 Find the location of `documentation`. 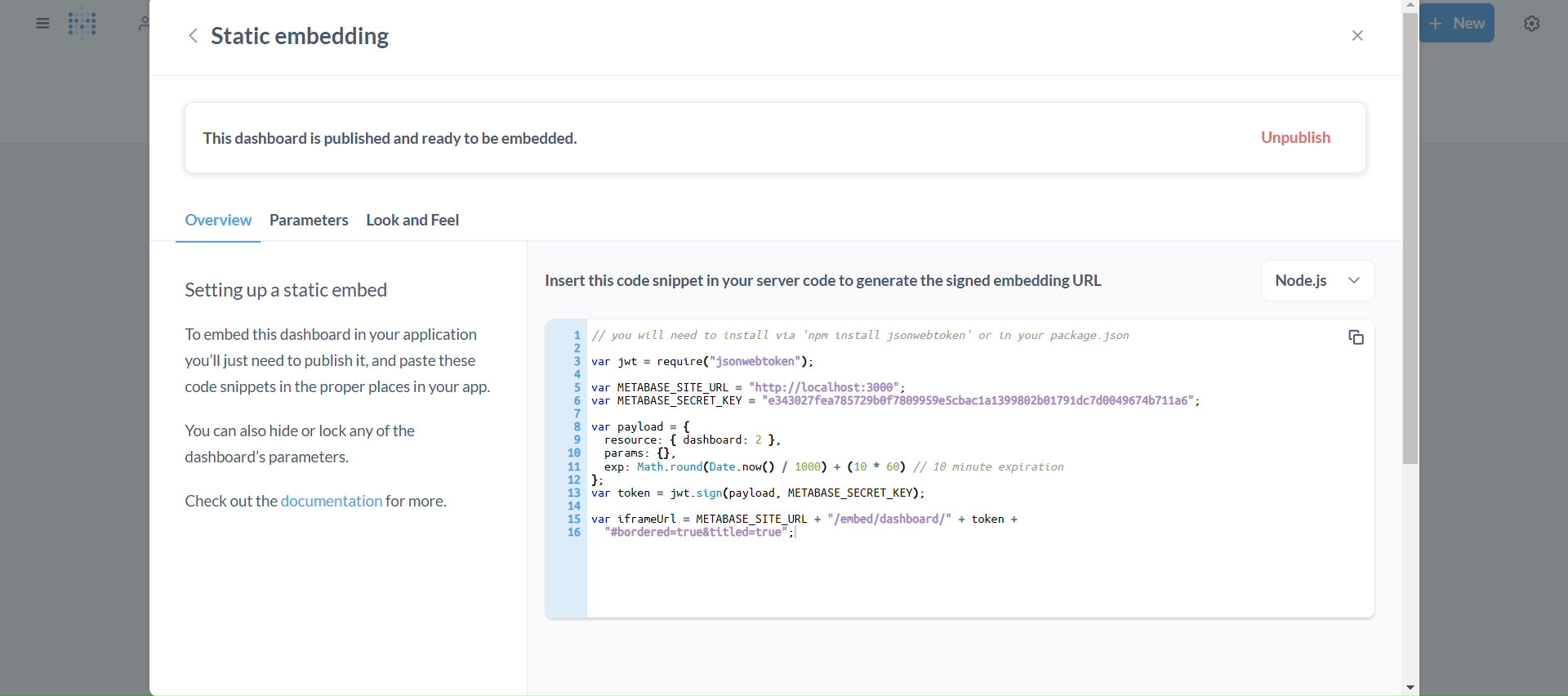

documentation is located at coordinates (320, 503).